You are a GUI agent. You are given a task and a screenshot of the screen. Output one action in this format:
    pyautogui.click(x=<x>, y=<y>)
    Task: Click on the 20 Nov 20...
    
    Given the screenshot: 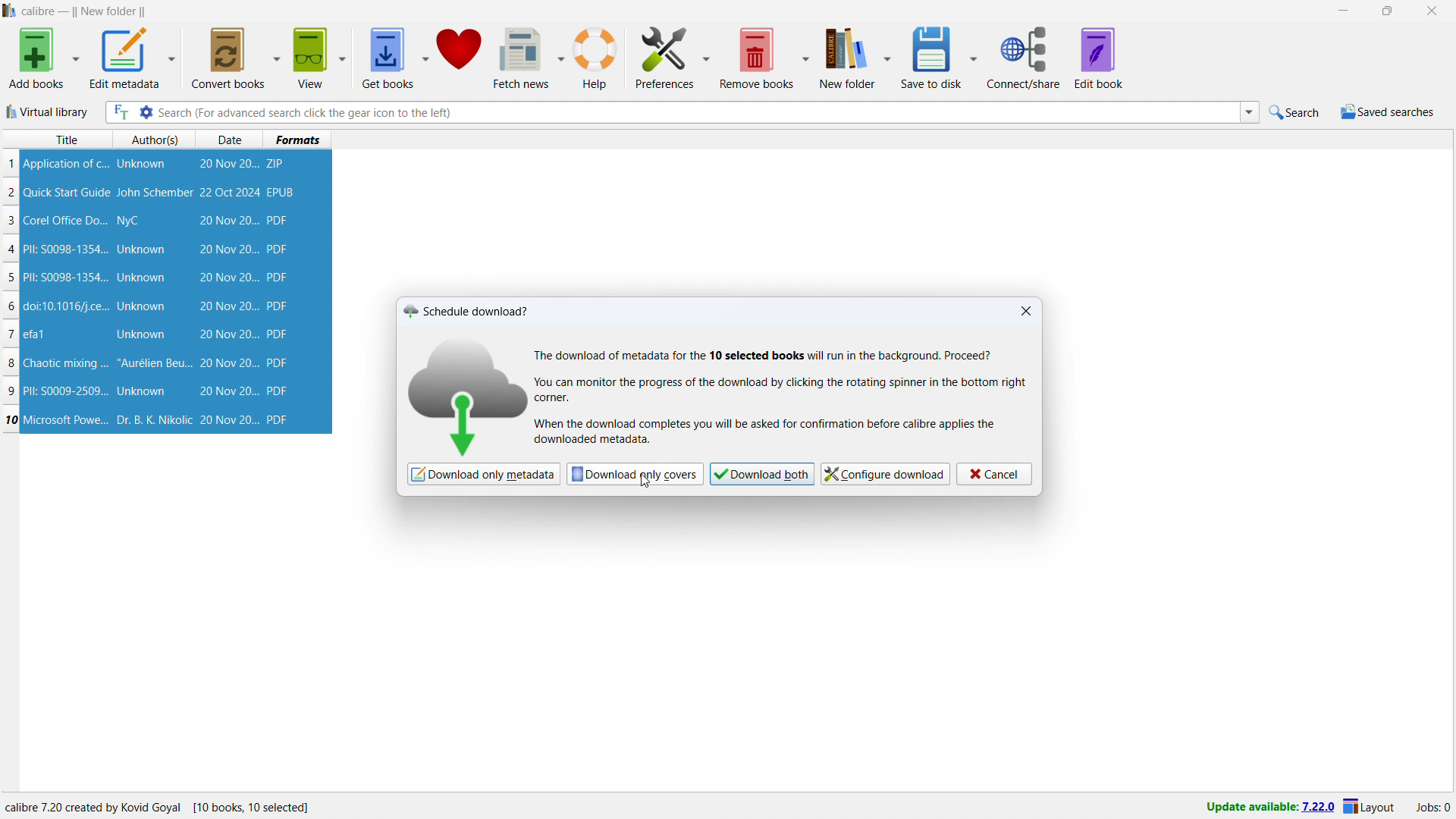 What is the action you would take?
    pyautogui.click(x=228, y=221)
    